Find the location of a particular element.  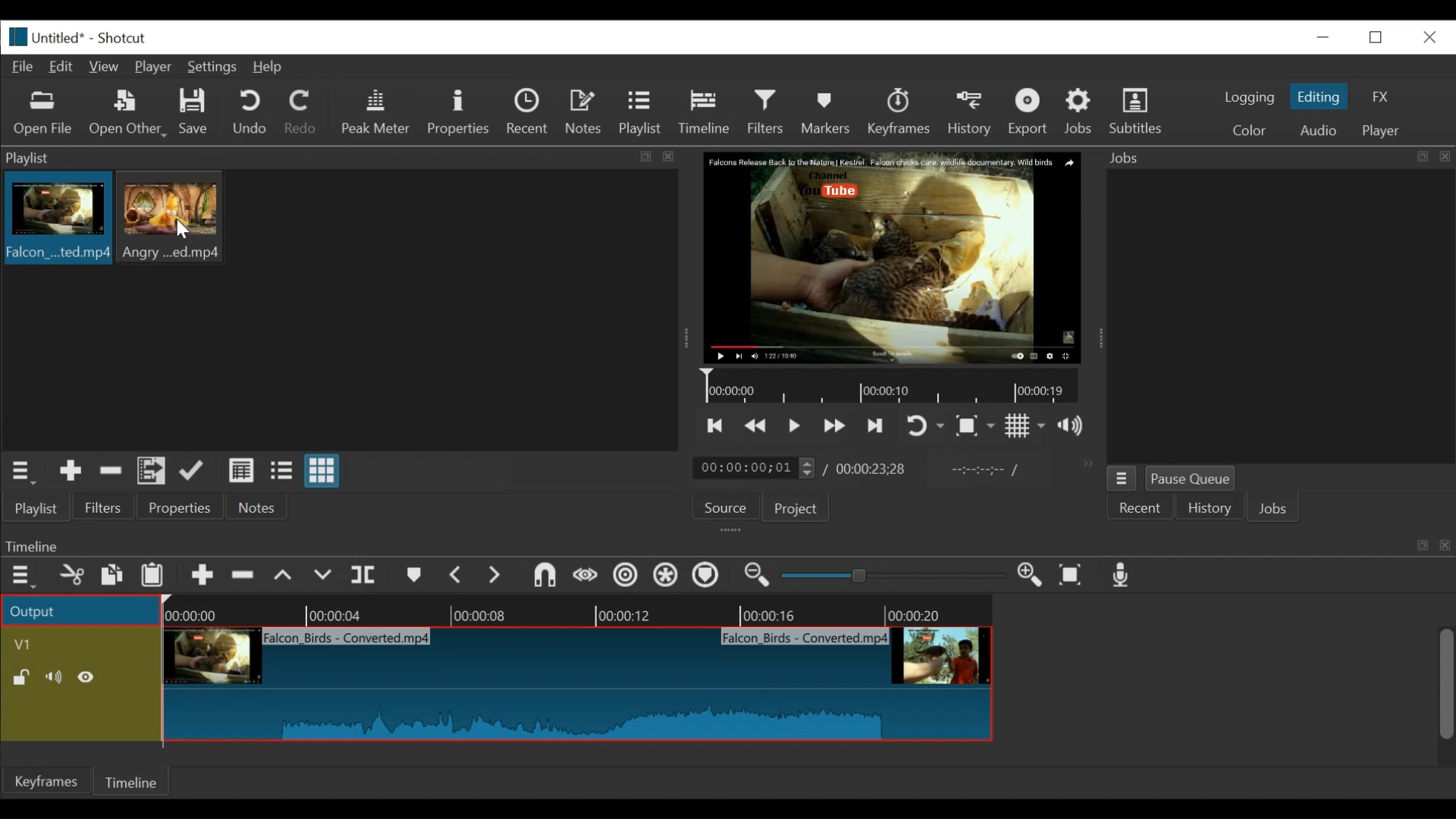

overwrite is located at coordinates (325, 576).